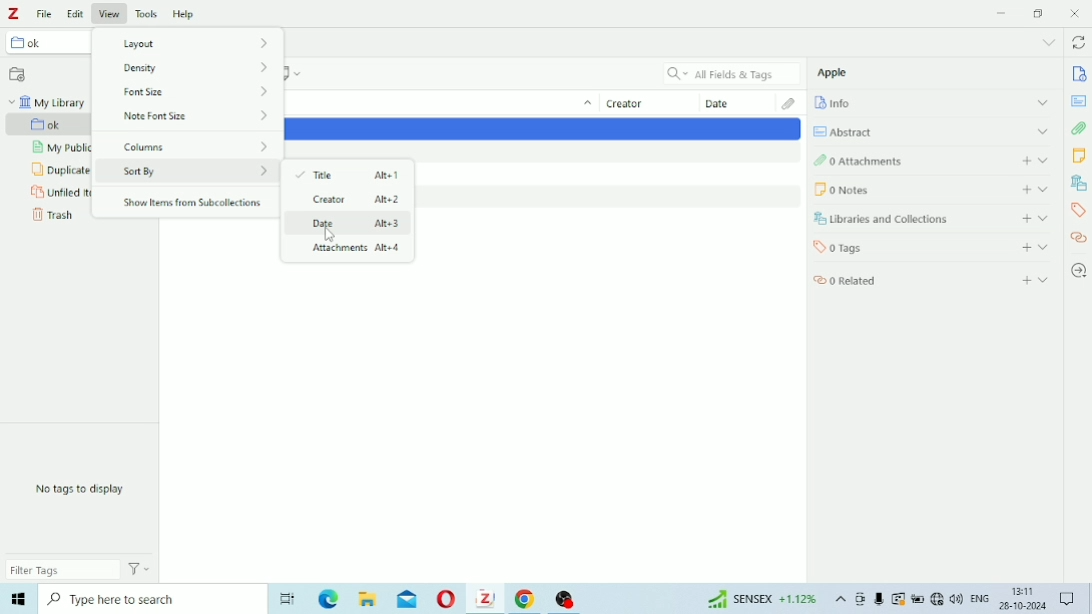  Describe the element at coordinates (1049, 41) in the screenshot. I see `more` at that location.